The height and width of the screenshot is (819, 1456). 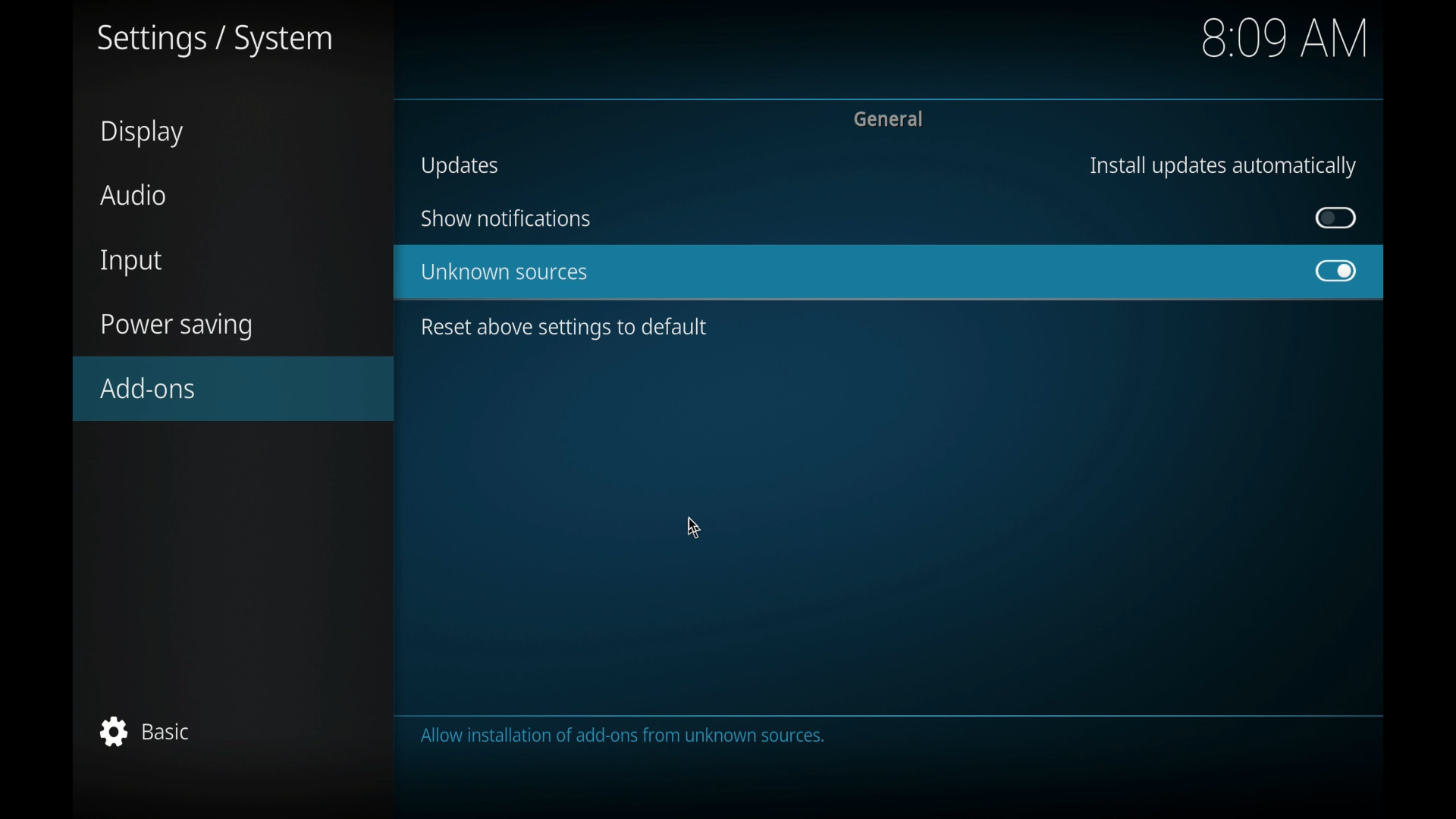 I want to click on cursor, so click(x=693, y=529).